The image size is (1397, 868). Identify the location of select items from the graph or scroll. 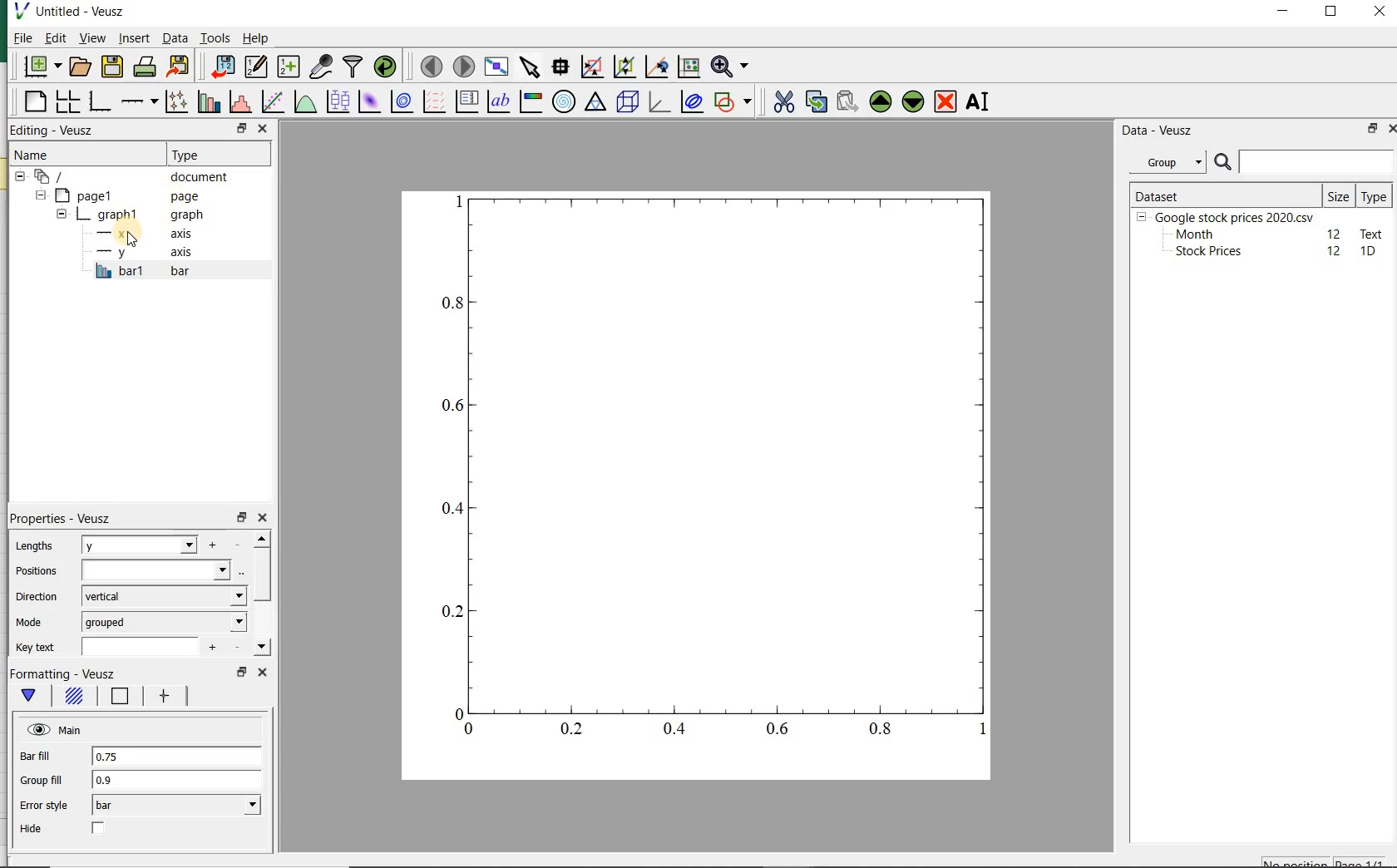
(529, 67).